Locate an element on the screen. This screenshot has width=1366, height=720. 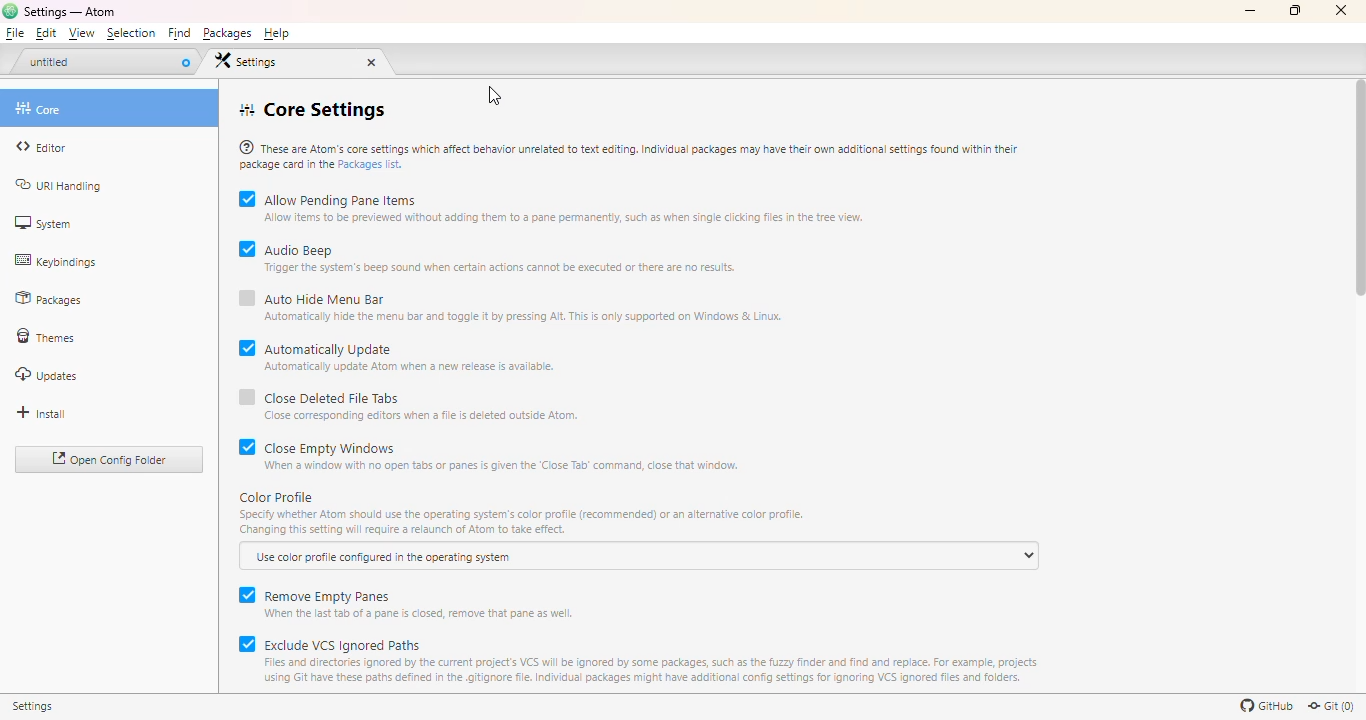
checkbox is located at coordinates (247, 404).